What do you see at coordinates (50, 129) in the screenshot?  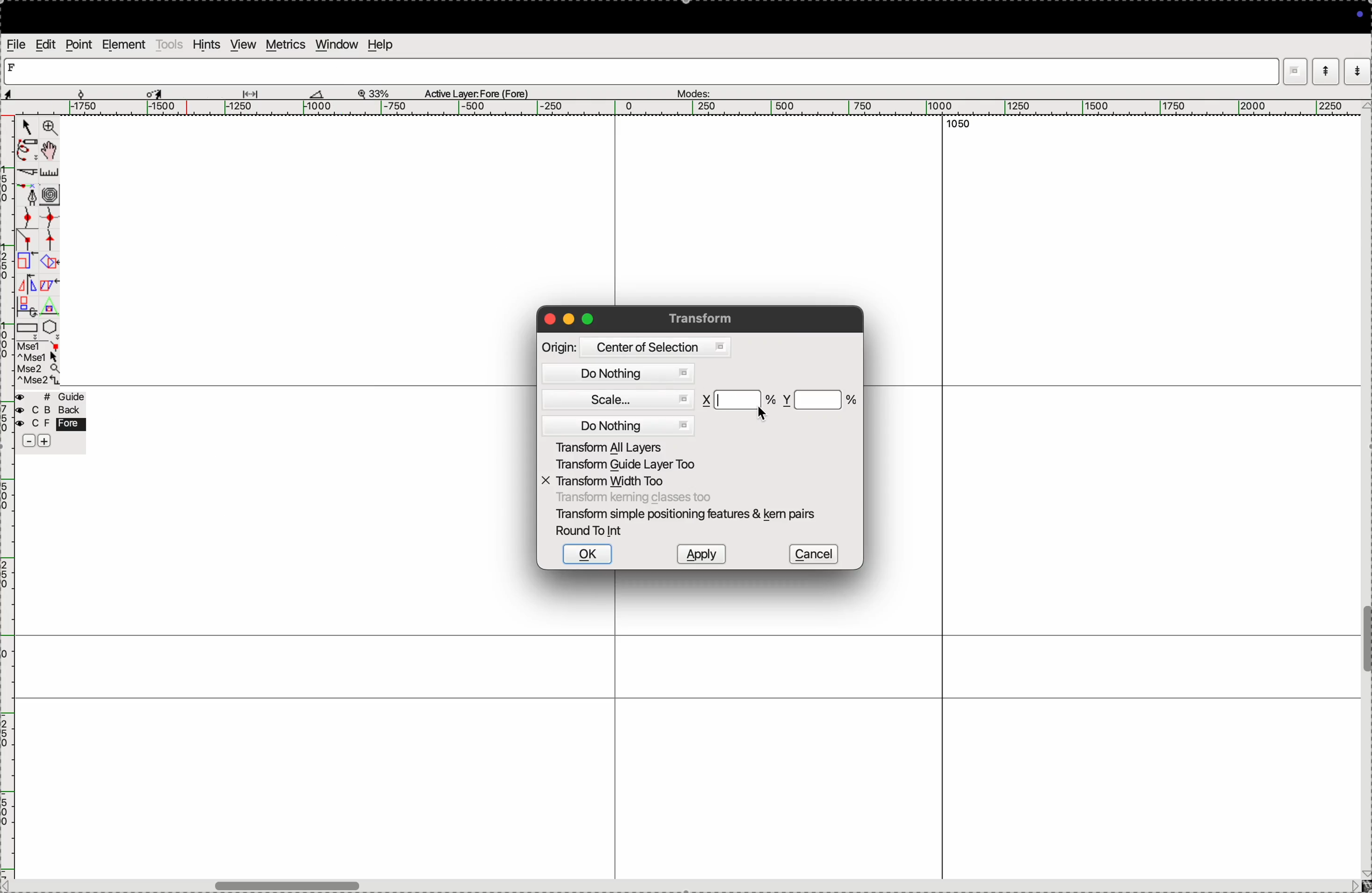 I see `zoom` at bounding box center [50, 129].